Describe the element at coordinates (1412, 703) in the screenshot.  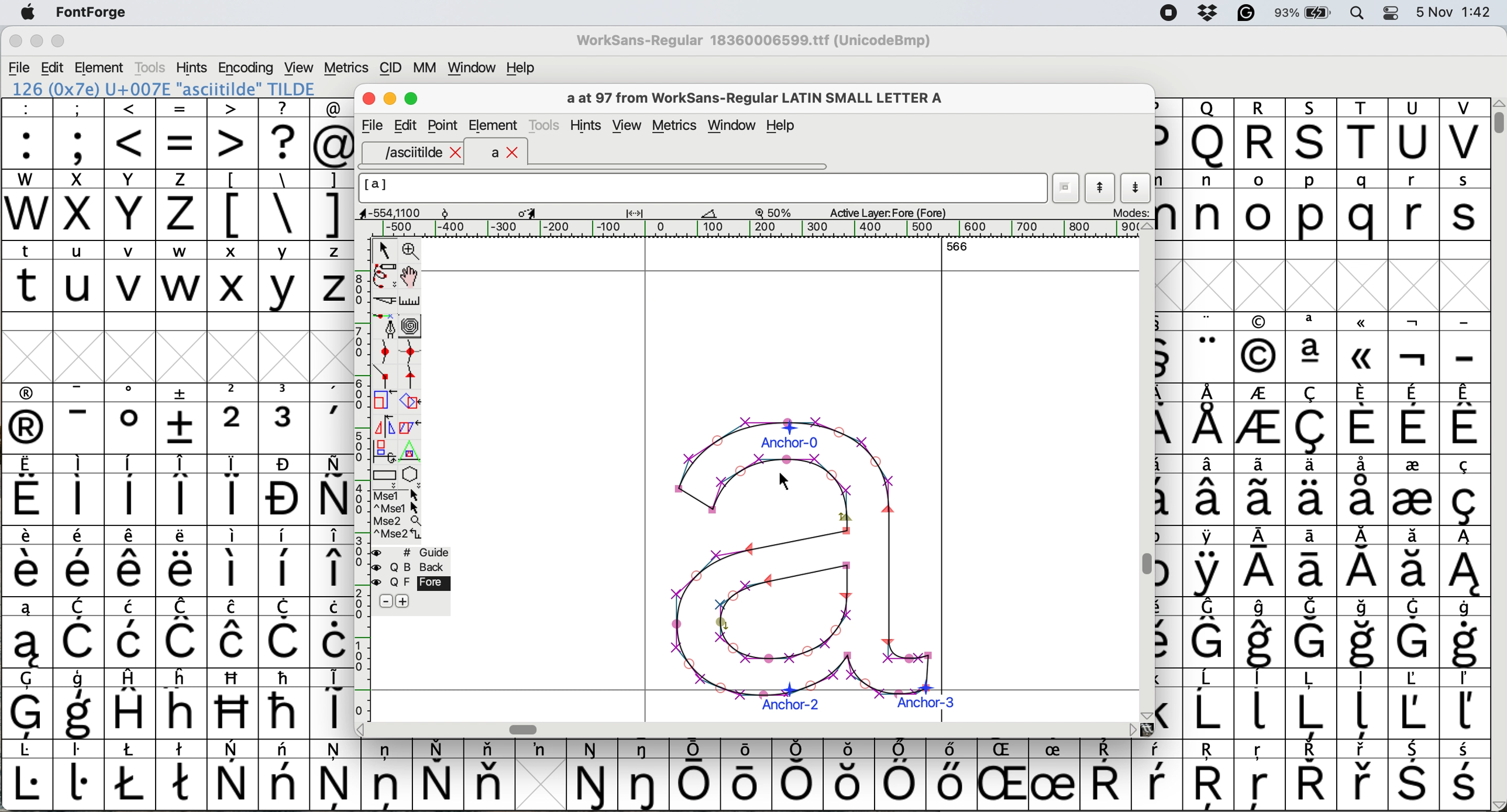
I see `symbol` at that location.